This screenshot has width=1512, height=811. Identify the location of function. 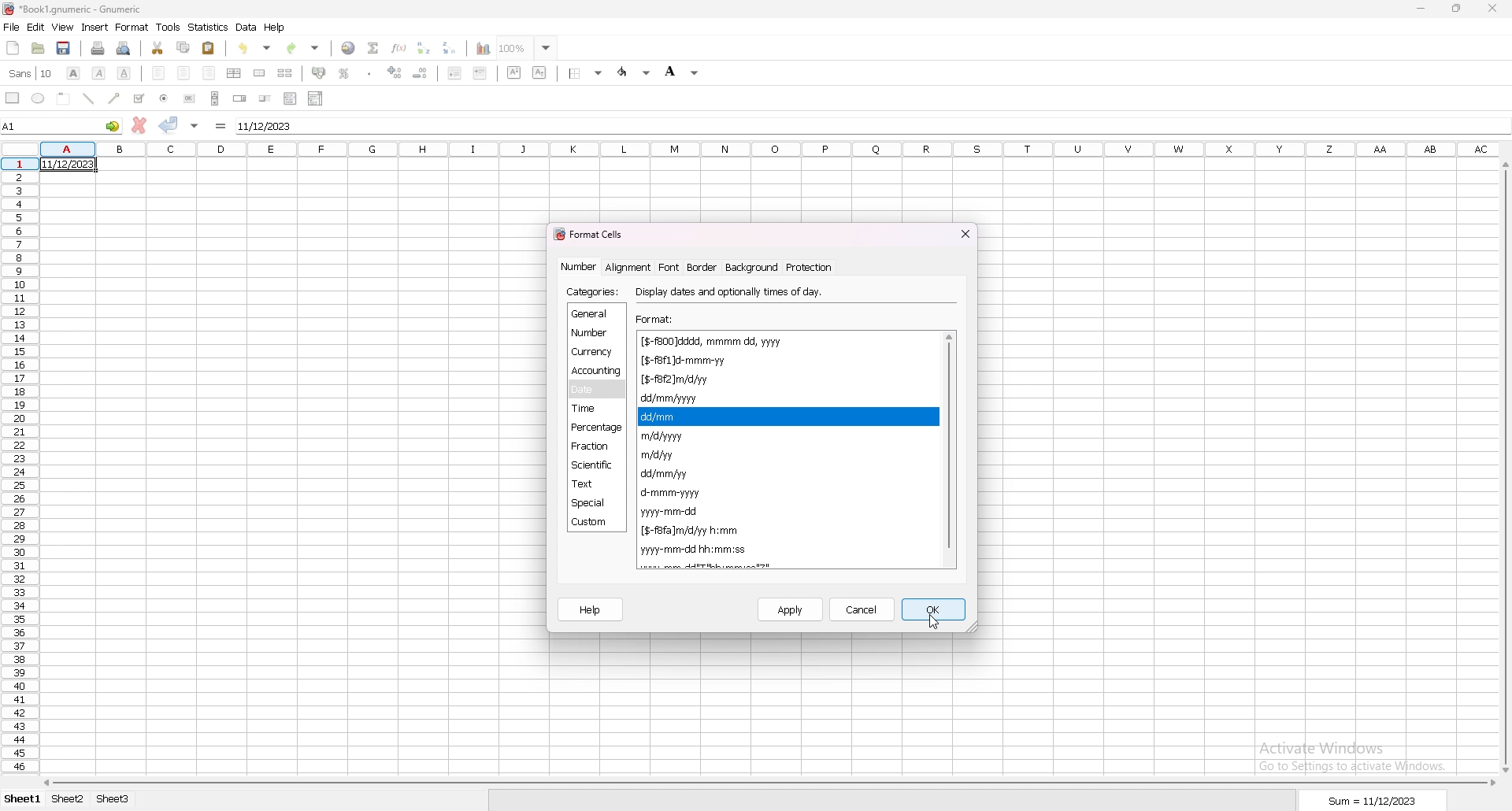
(399, 48).